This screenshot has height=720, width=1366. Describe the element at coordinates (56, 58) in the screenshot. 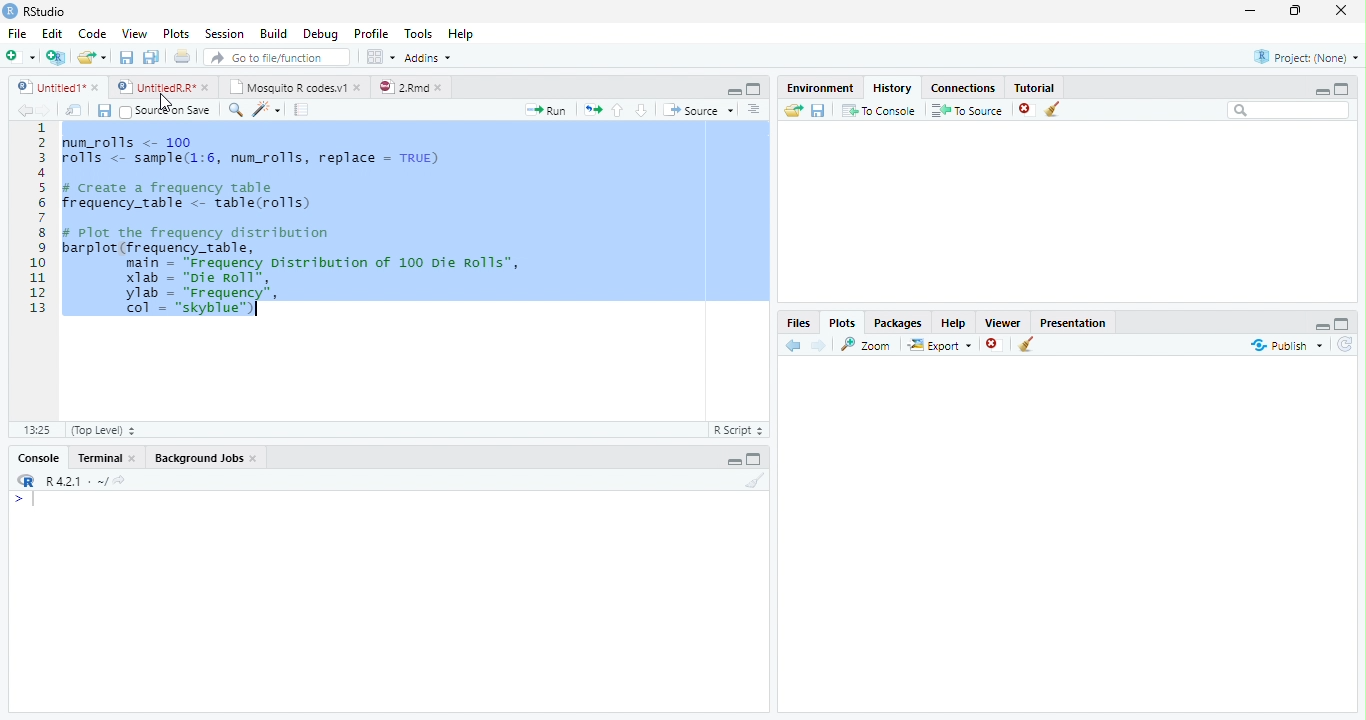

I see `Create Project` at that location.